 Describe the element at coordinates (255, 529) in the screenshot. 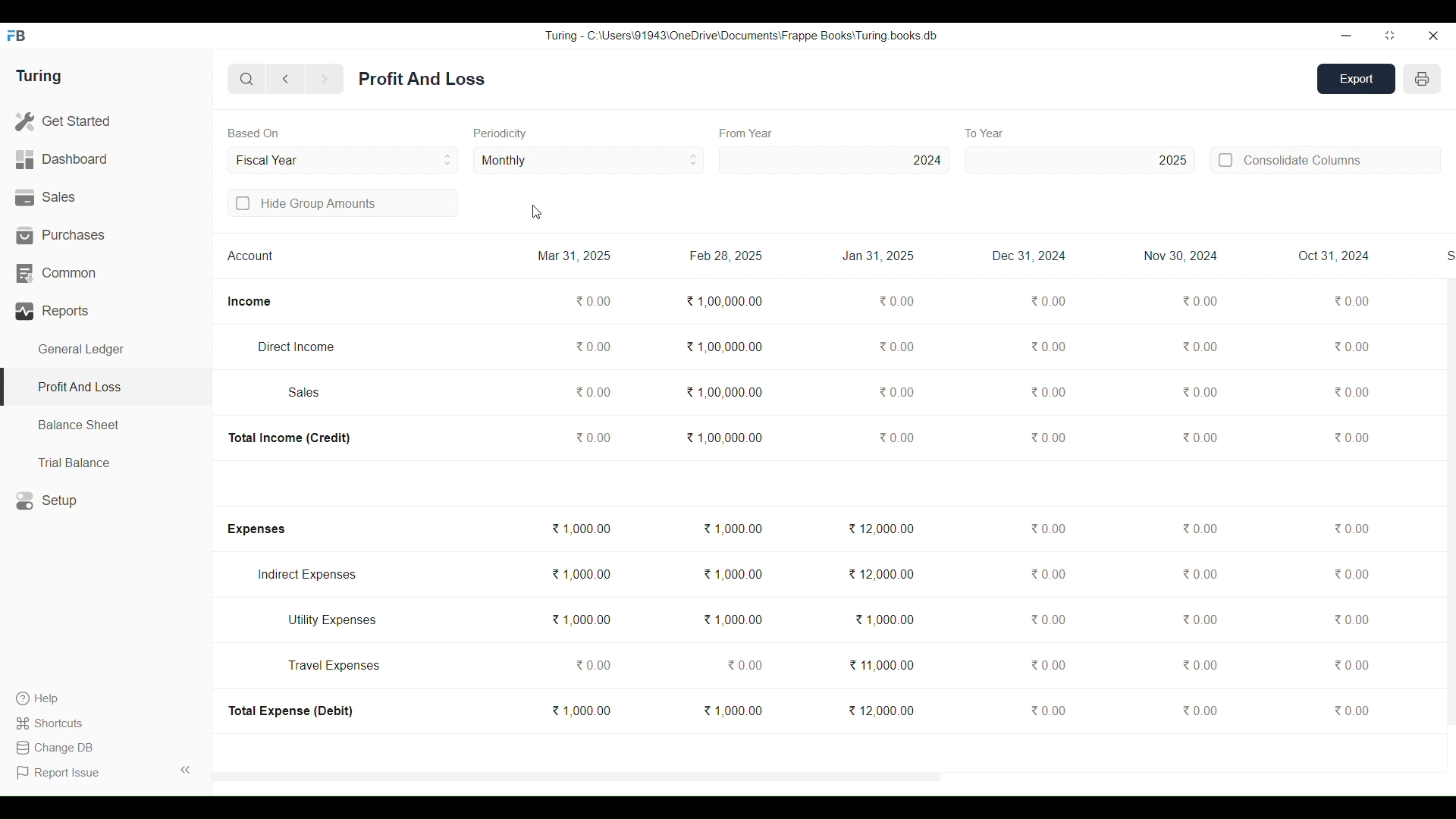

I see `Expenses` at that location.